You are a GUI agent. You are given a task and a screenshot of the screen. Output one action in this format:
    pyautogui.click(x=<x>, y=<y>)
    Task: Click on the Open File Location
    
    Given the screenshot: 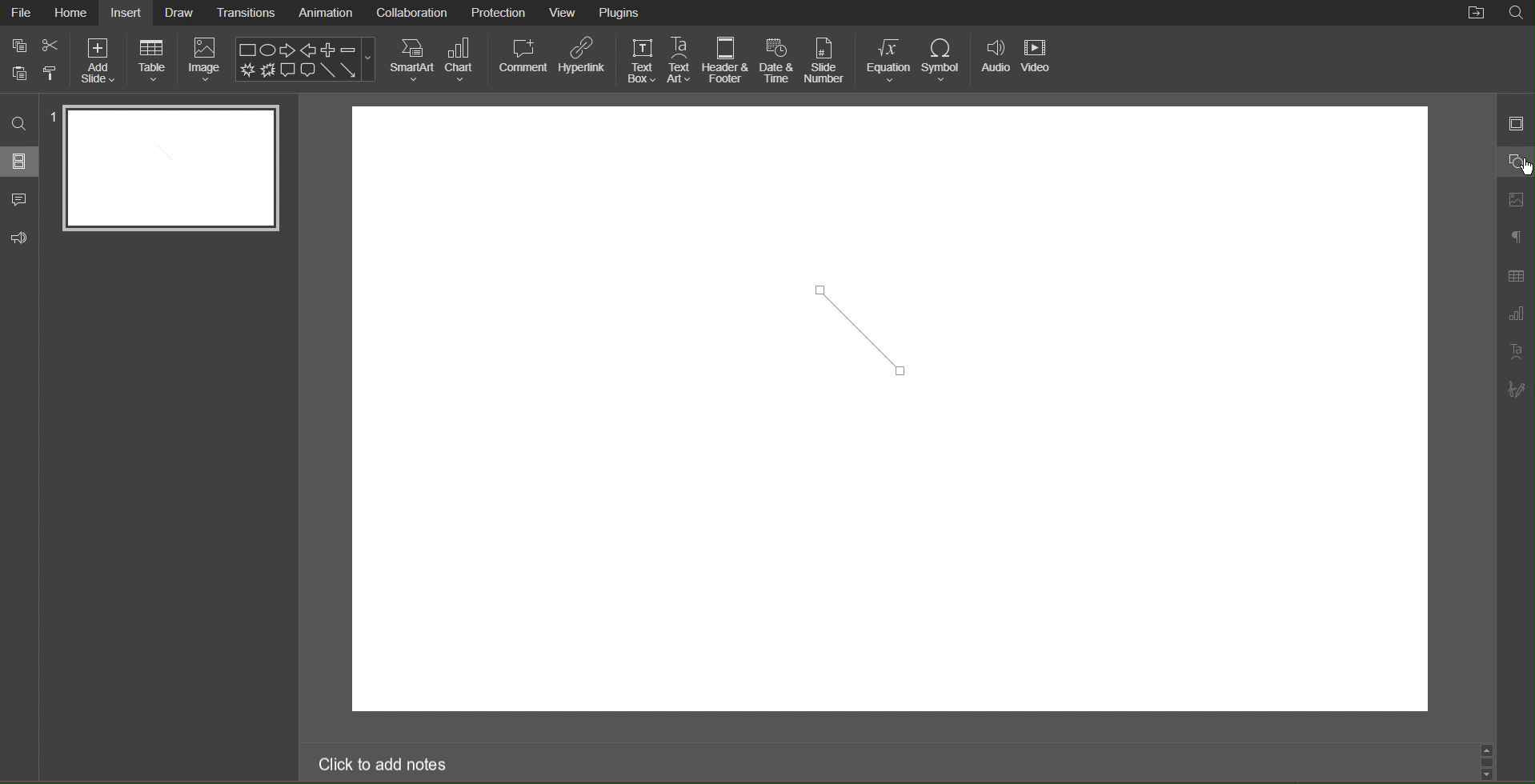 What is the action you would take?
    pyautogui.click(x=1477, y=14)
    